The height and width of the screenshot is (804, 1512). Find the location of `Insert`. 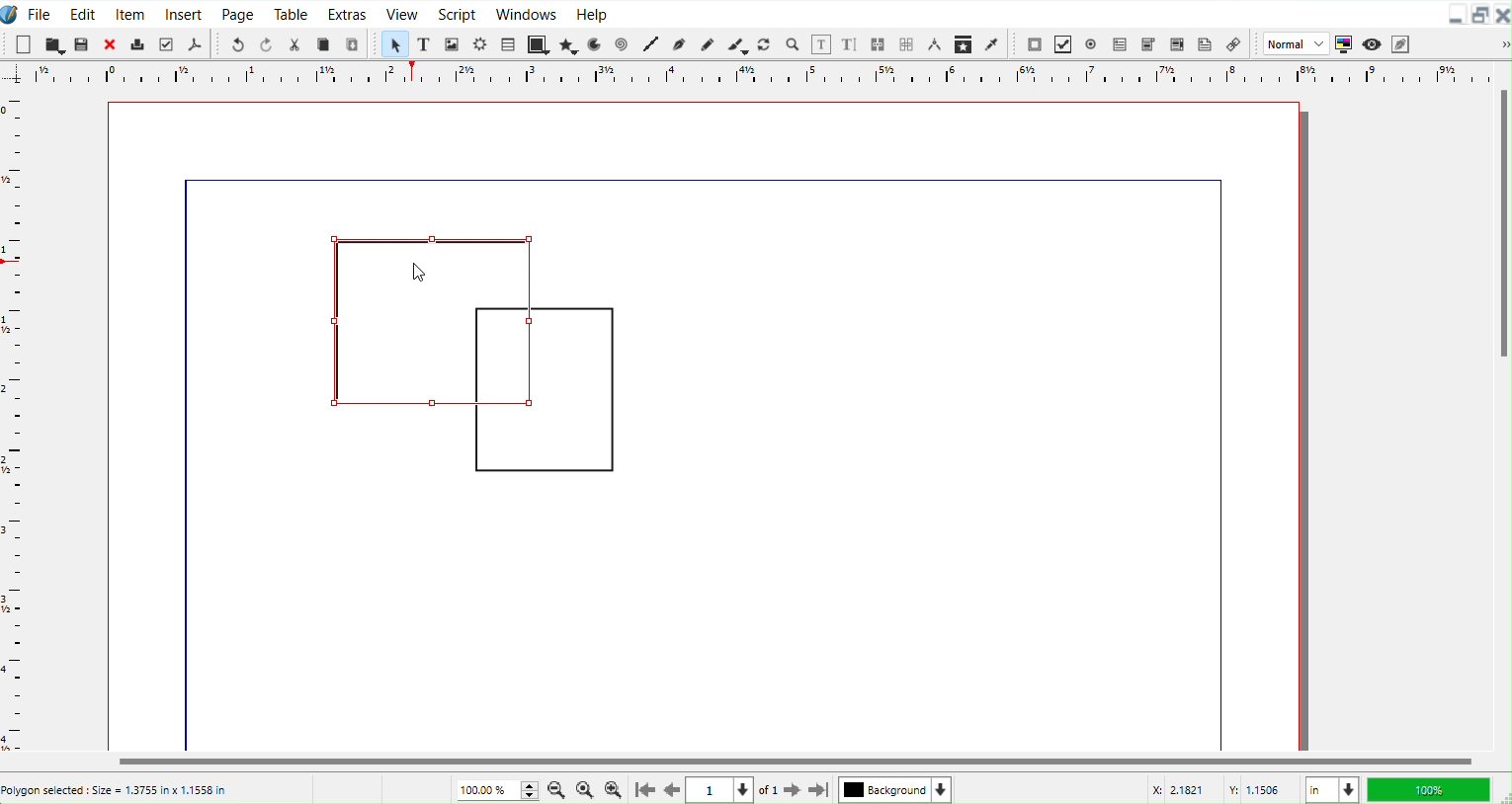

Insert is located at coordinates (184, 13).